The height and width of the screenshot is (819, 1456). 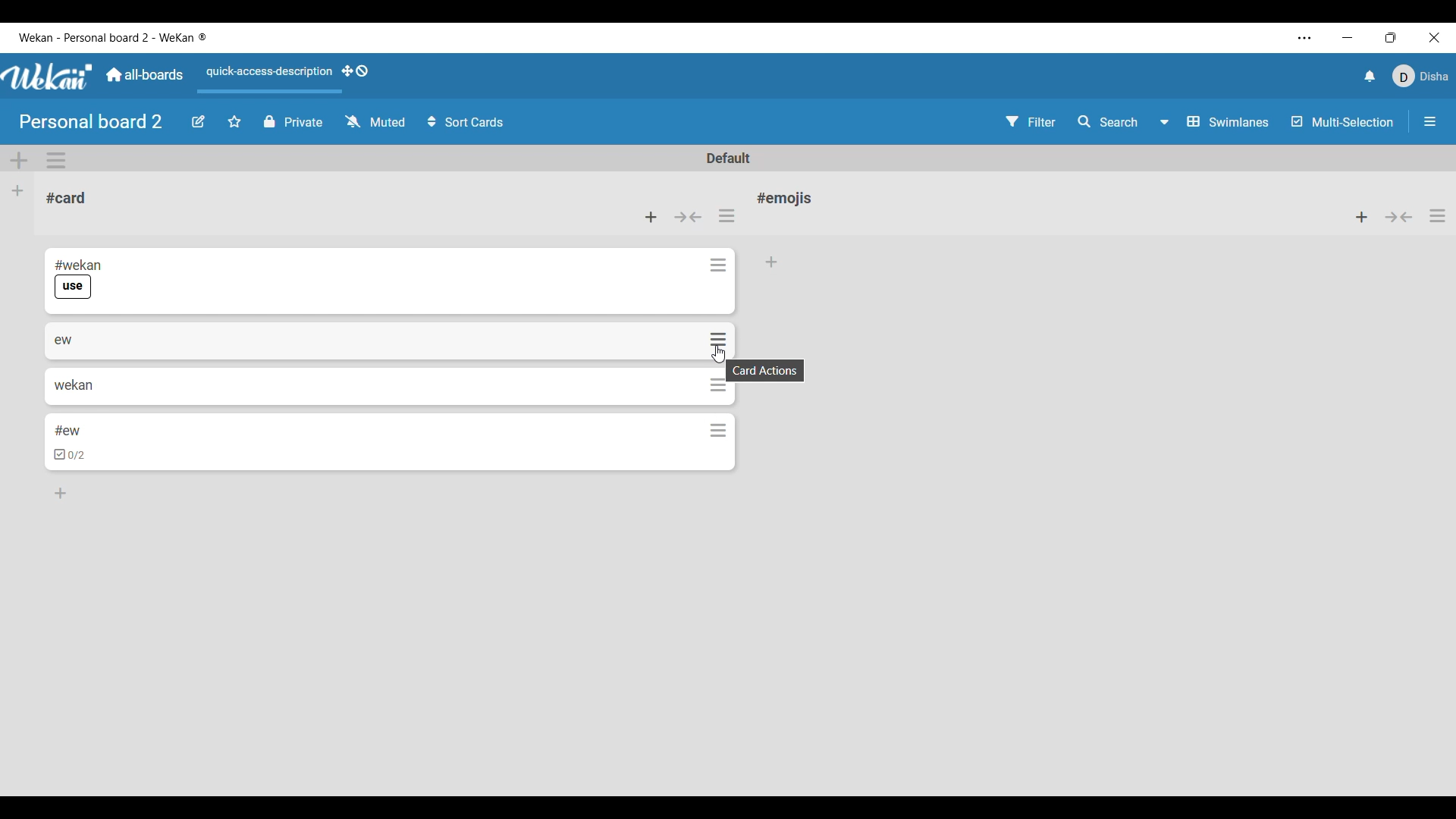 I want to click on Collapse, so click(x=1399, y=217).